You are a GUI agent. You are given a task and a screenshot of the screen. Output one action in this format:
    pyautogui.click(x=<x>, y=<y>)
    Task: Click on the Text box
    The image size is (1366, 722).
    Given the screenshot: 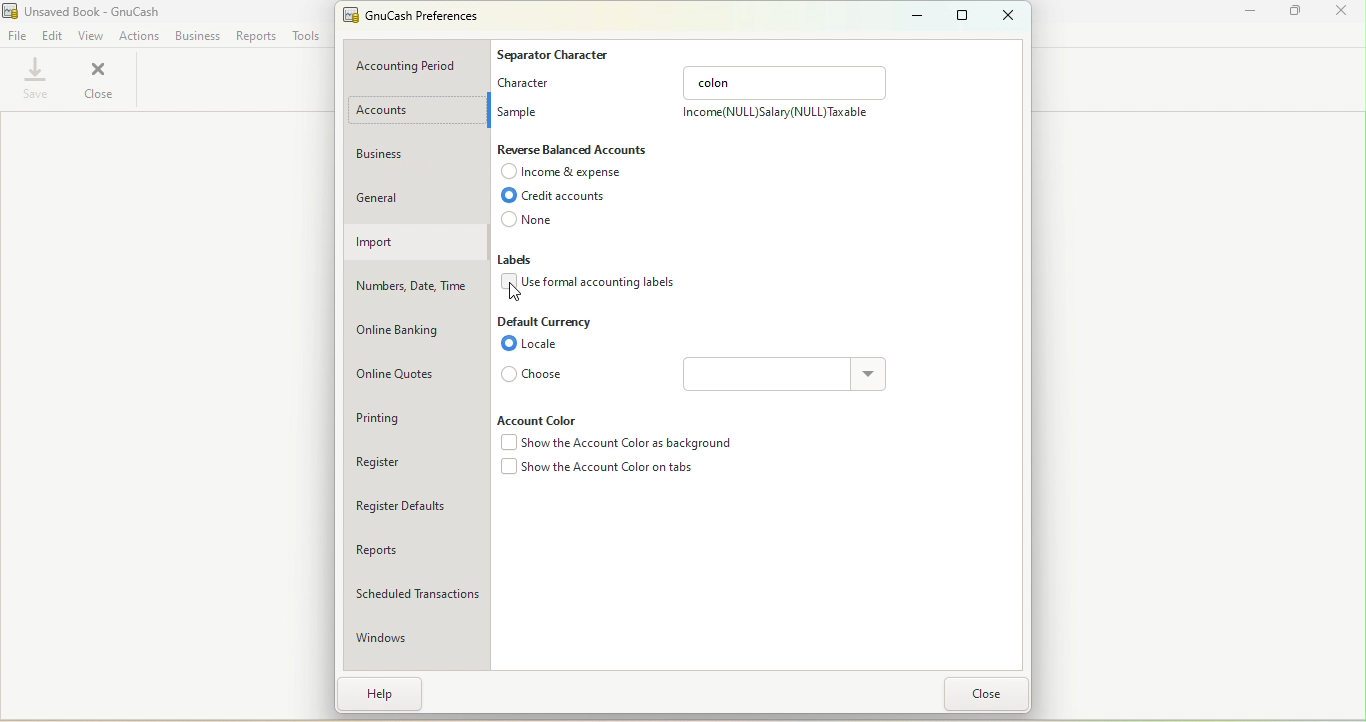 What is the action you would take?
    pyautogui.click(x=786, y=80)
    